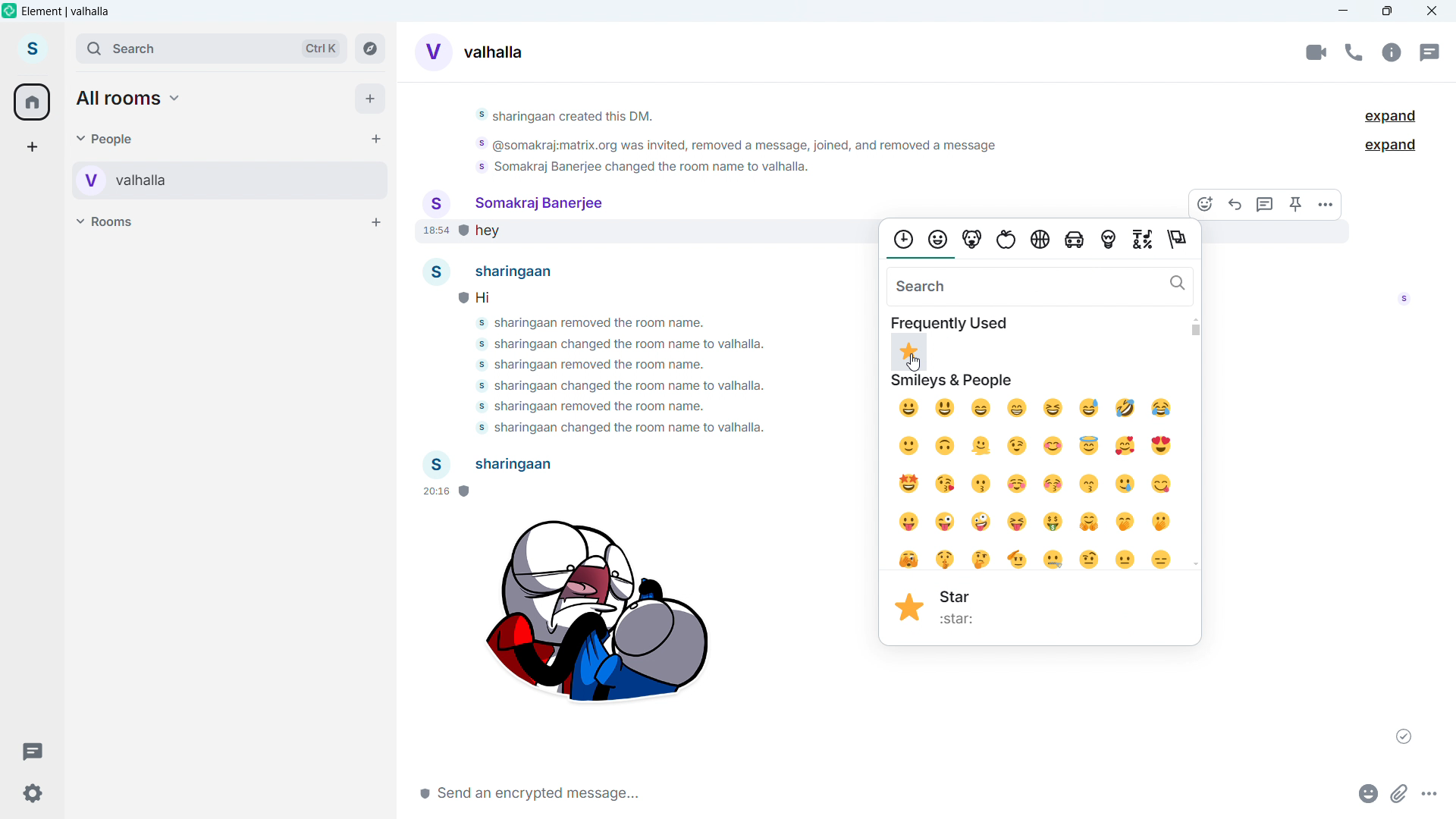  What do you see at coordinates (491, 465) in the screenshot?
I see `Sharingaan` at bounding box center [491, 465].